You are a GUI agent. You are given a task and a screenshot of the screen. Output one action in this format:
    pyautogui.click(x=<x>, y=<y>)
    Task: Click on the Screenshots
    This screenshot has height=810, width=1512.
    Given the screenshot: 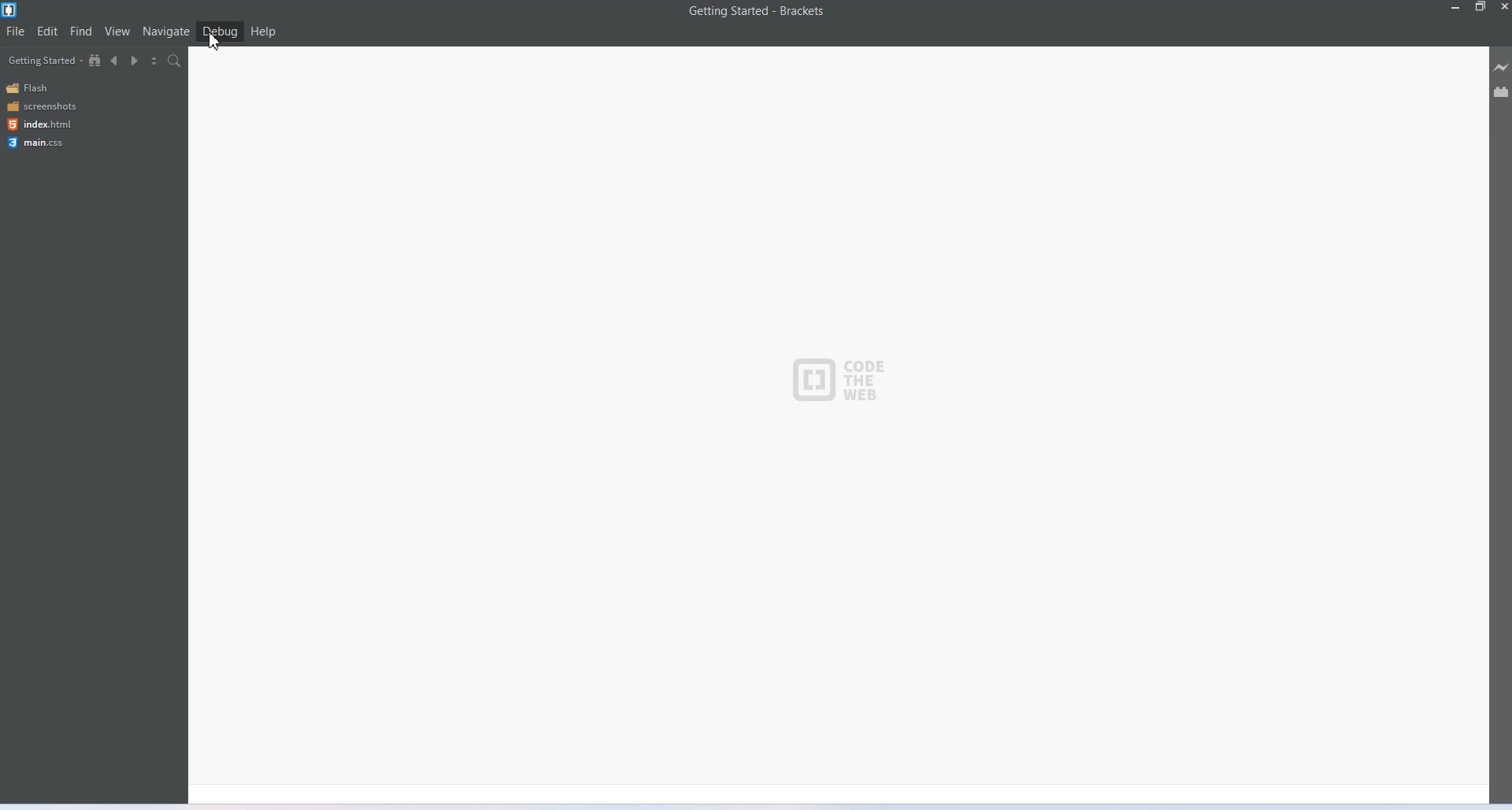 What is the action you would take?
    pyautogui.click(x=41, y=106)
    